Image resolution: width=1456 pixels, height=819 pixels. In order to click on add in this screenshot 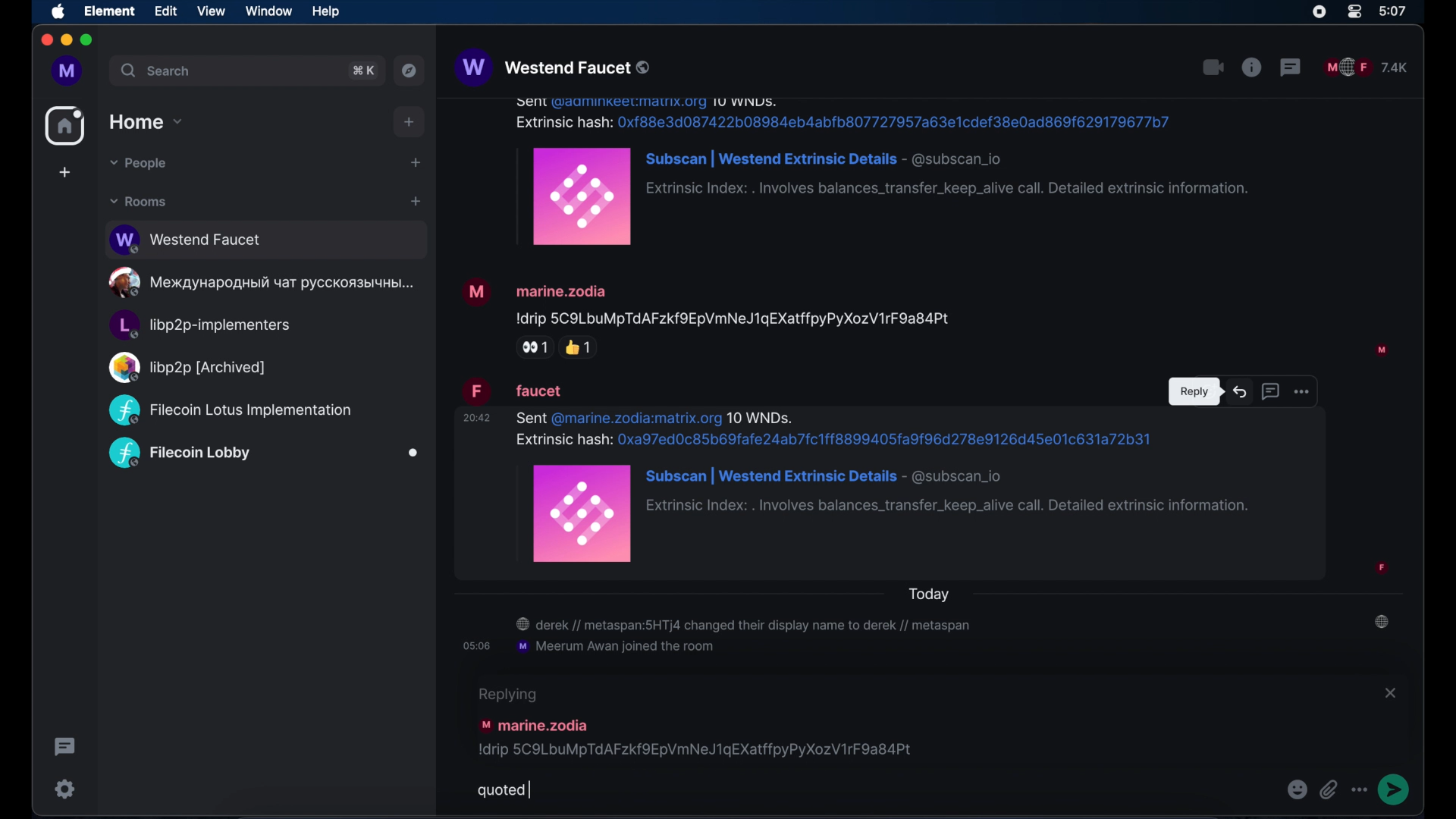, I will do `click(409, 121)`.